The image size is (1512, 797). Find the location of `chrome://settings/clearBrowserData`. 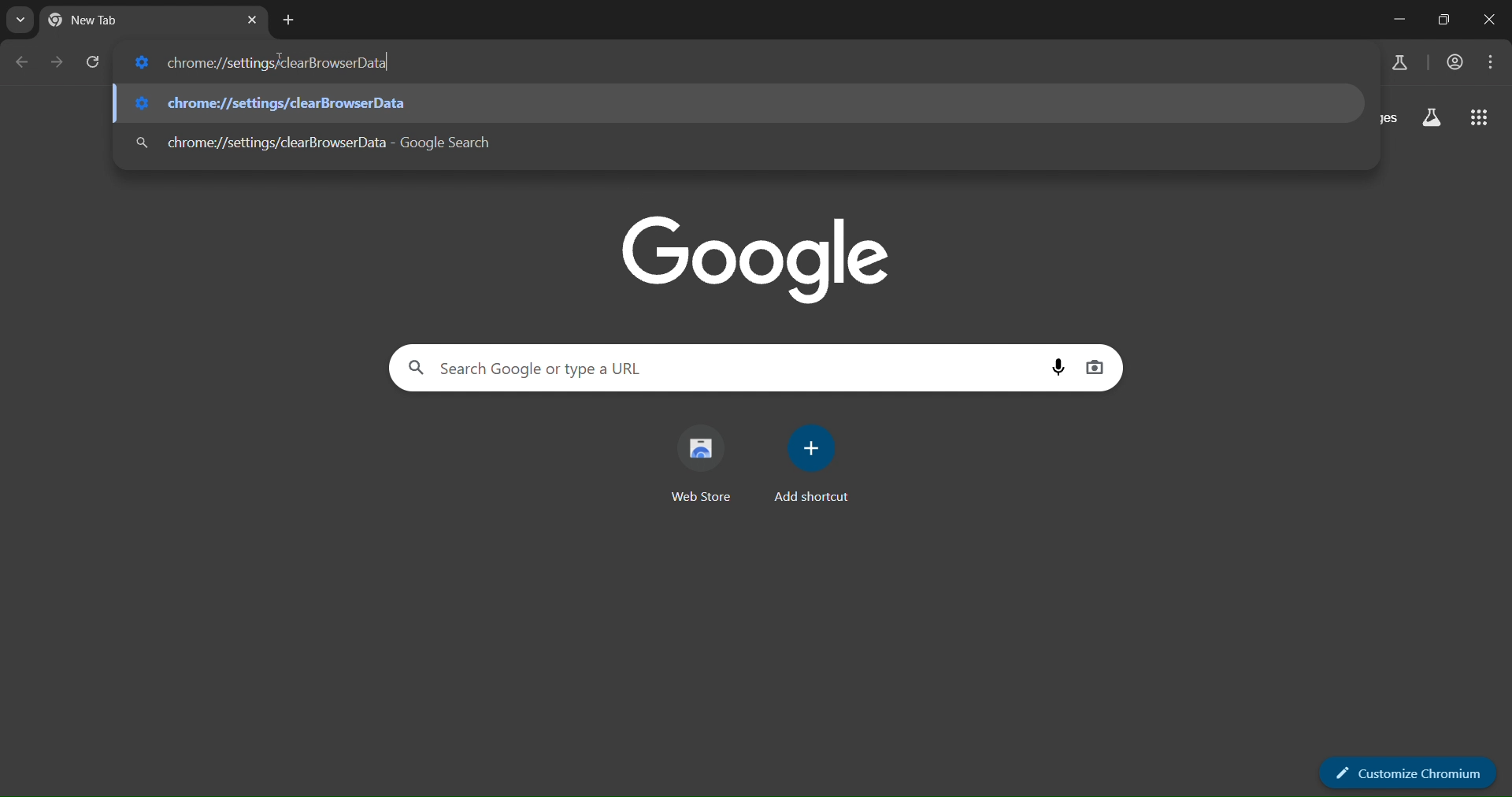

chrome://settings/clearBrowserData is located at coordinates (766, 65).